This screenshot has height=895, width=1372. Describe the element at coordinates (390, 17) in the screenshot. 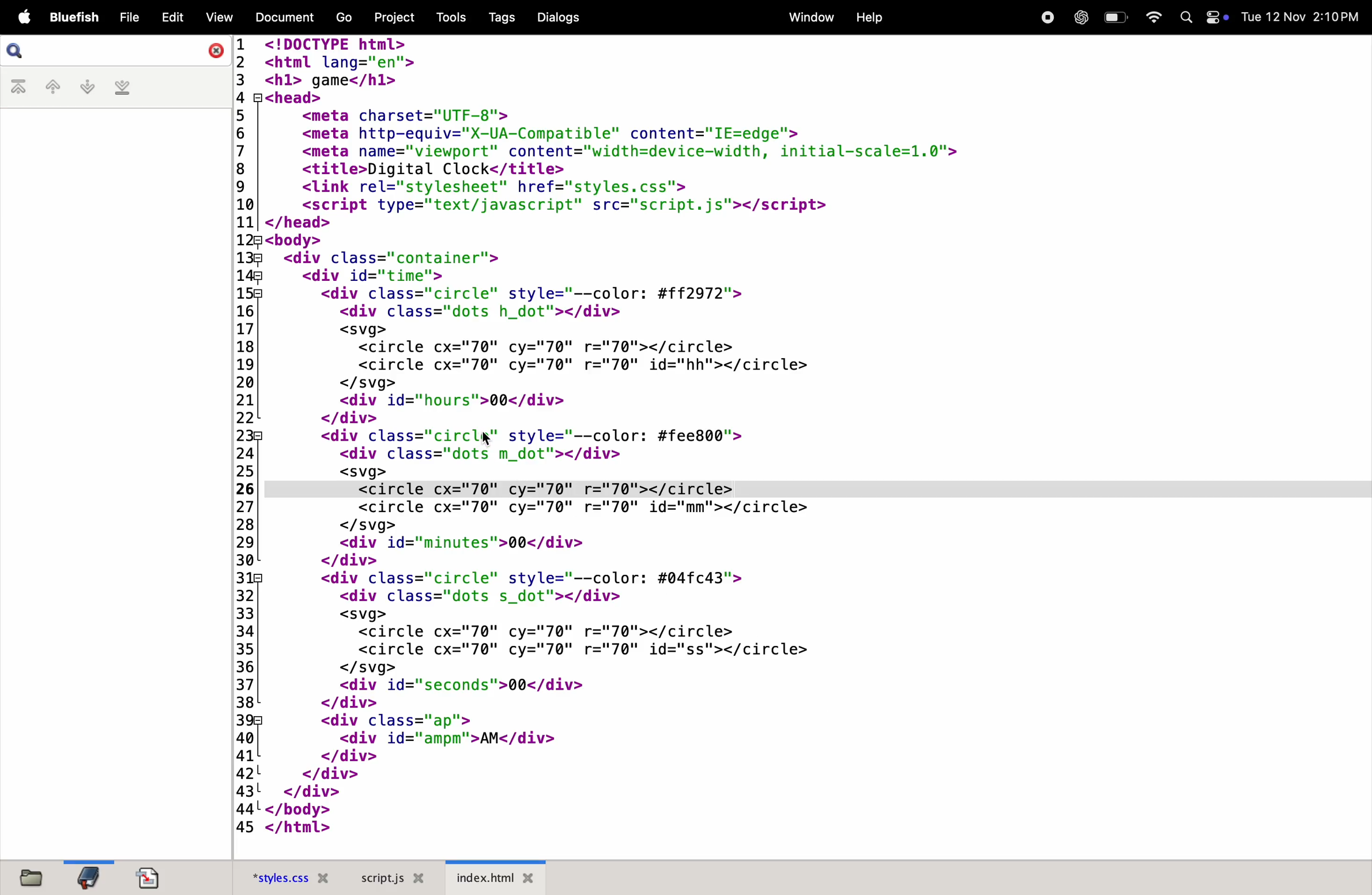

I see `projects` at that location.